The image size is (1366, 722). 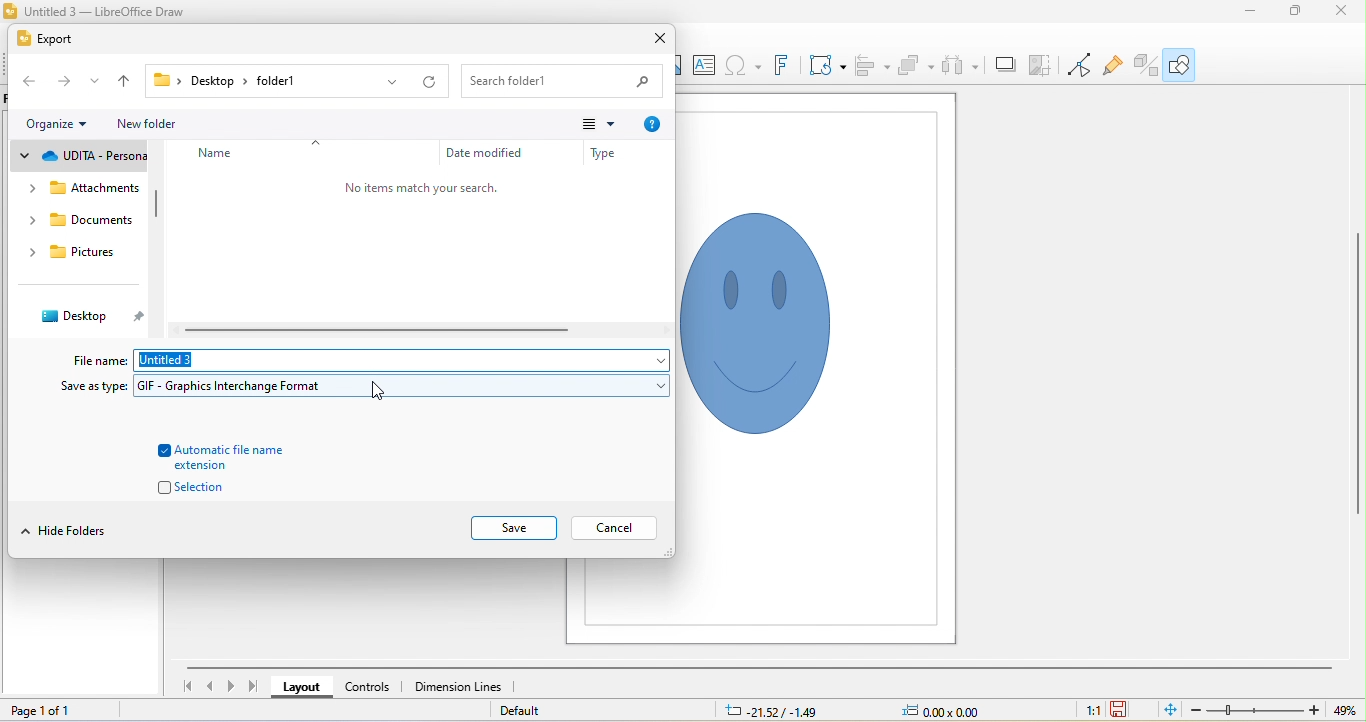 I want to click on close, so click(x=659, y=39).